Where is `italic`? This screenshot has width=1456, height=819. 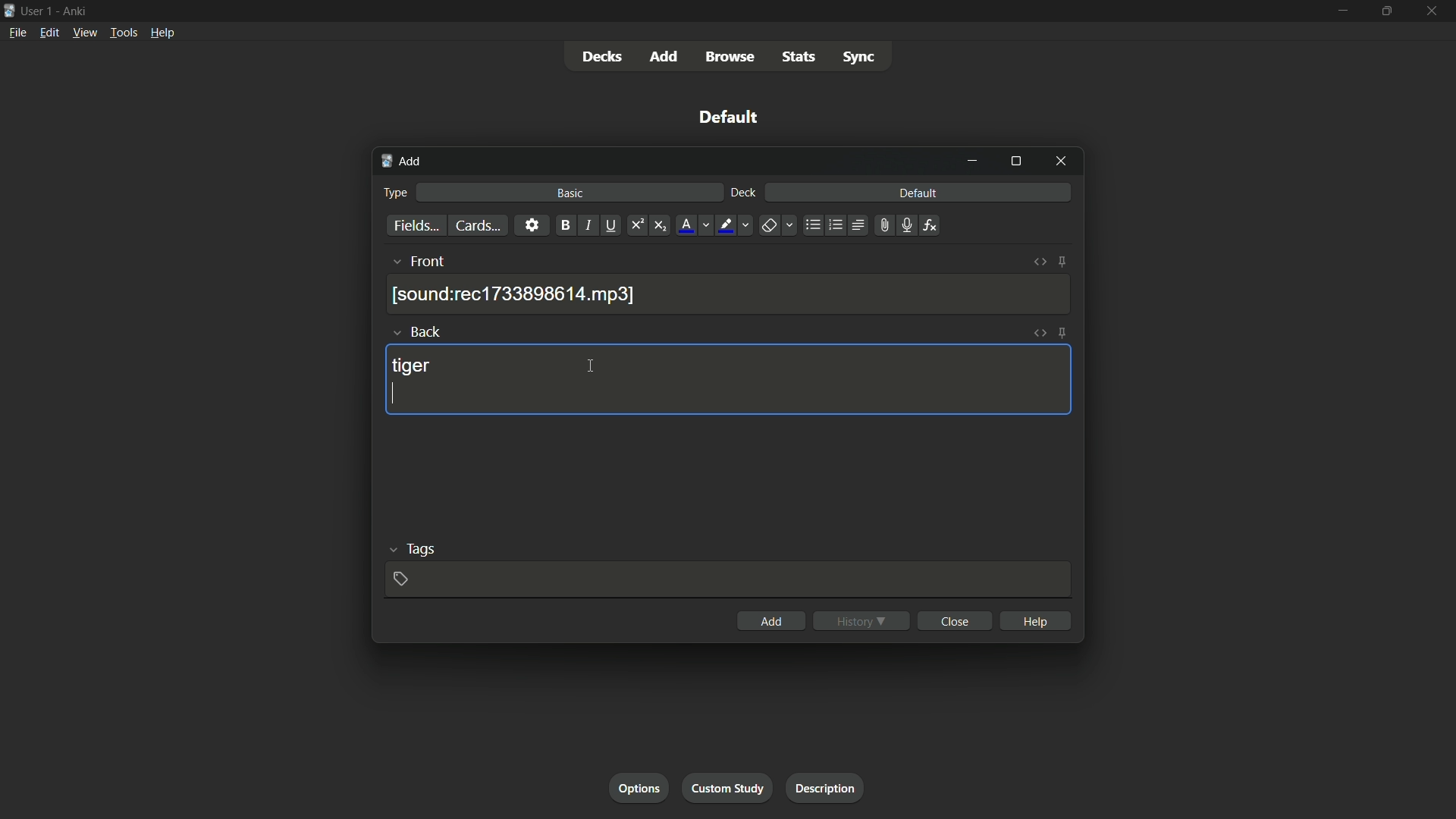 italic is located at coordinates (588, 227).